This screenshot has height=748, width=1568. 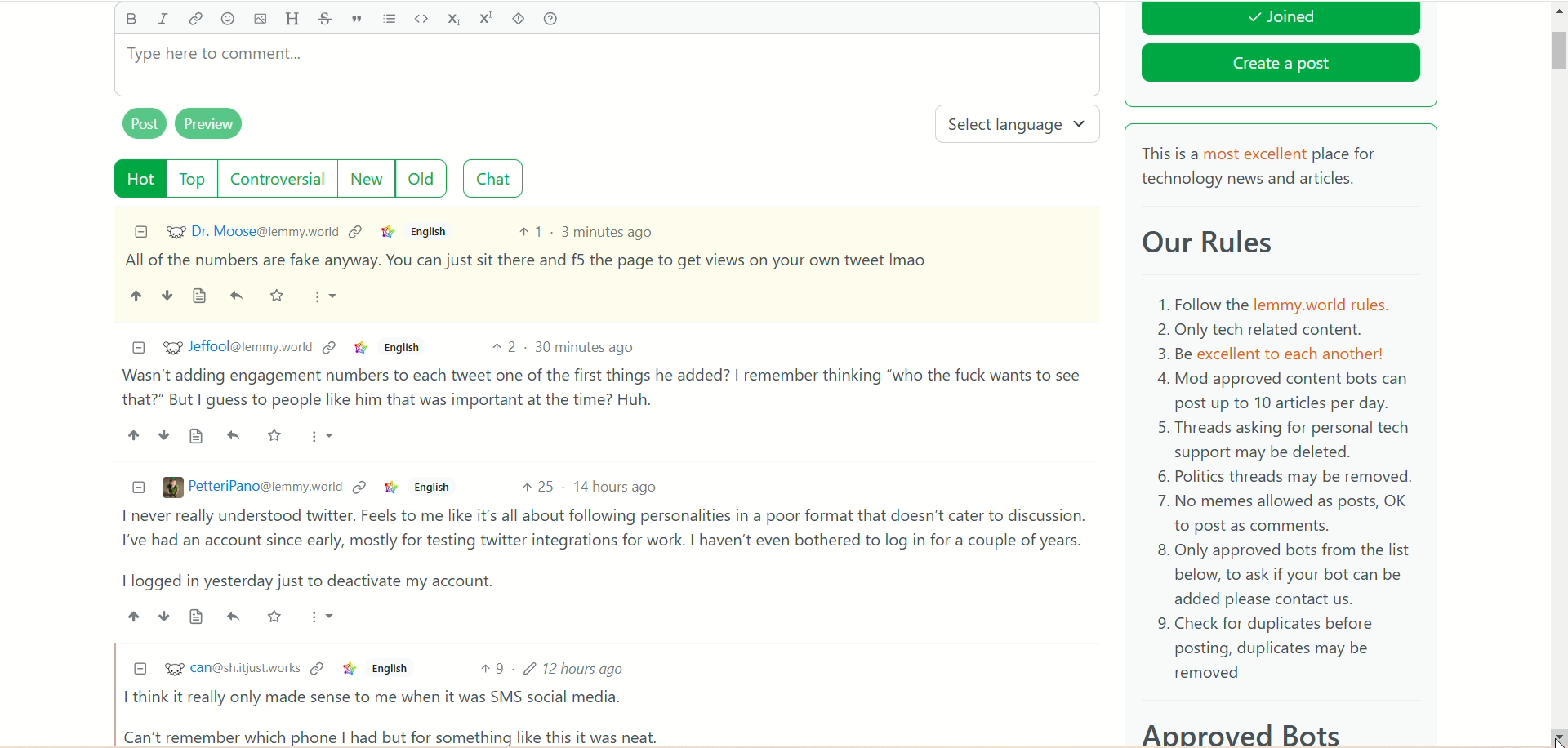 What do you see at coordinates (198, 437) in the screenshot?
I see `Source` at bounding box center [198, 437].